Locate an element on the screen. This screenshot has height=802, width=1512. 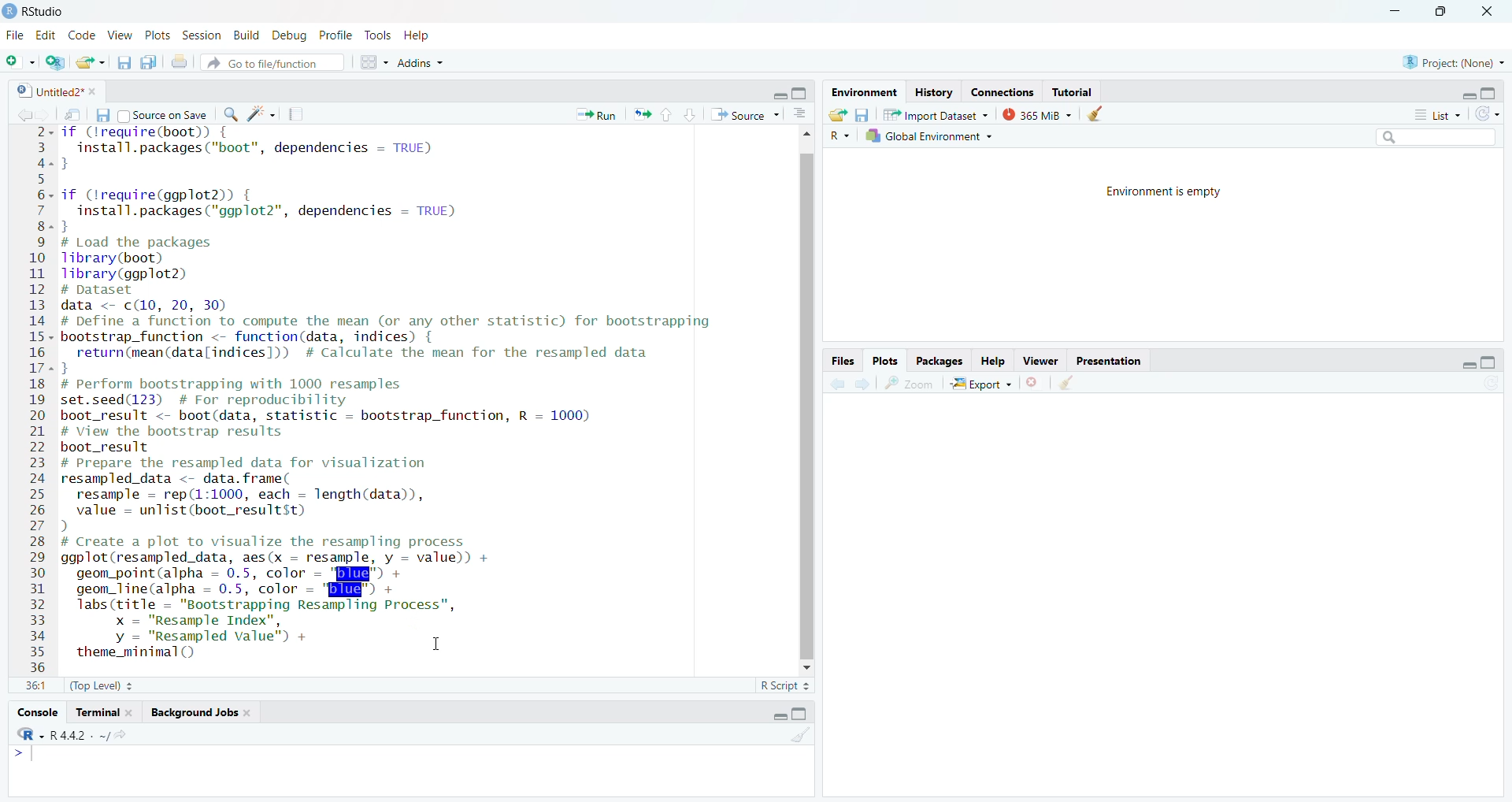
 Go to file/function is located at coordinates (275, 61).